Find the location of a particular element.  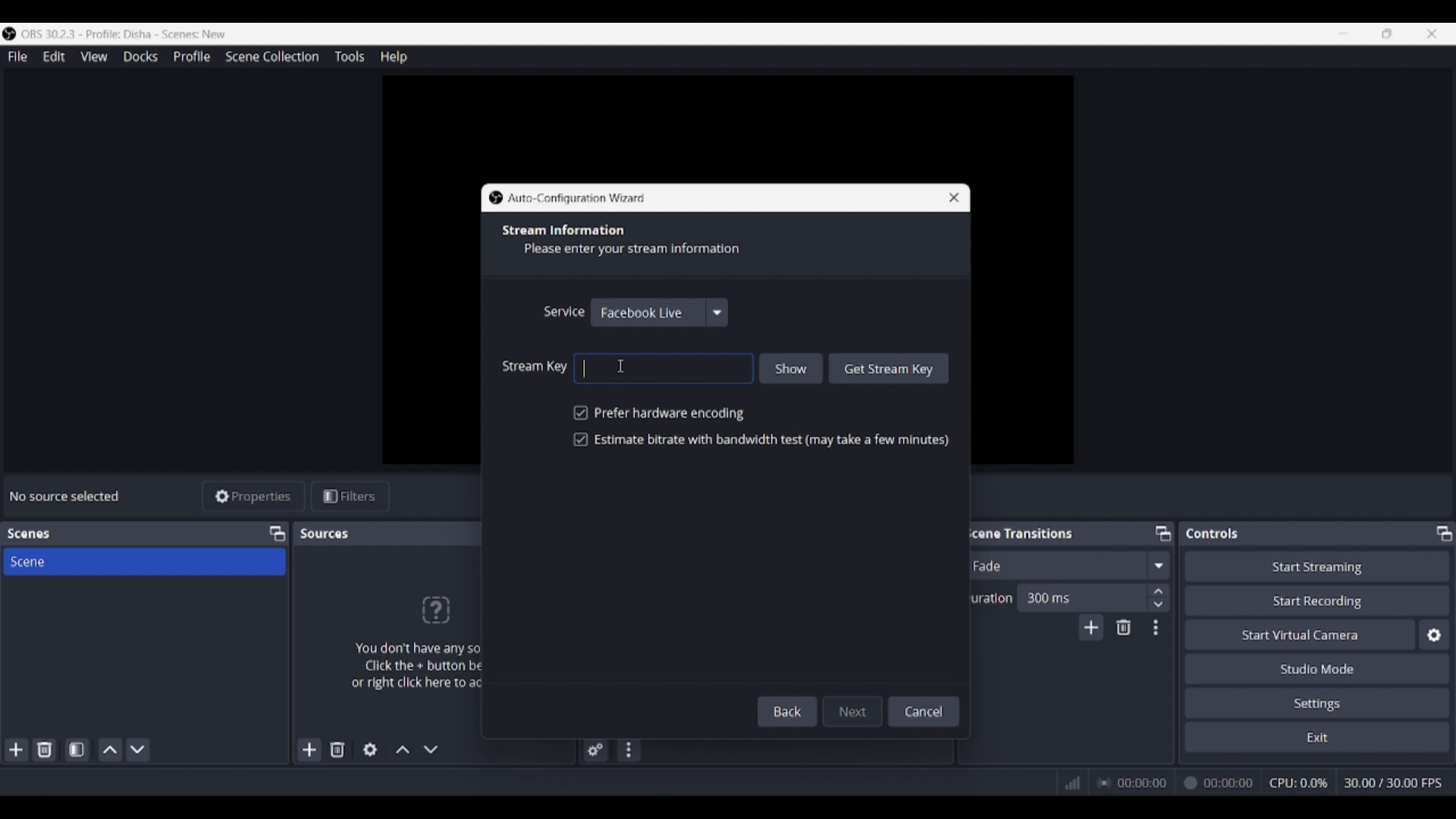

Add source is located at coordinates (310, 749).